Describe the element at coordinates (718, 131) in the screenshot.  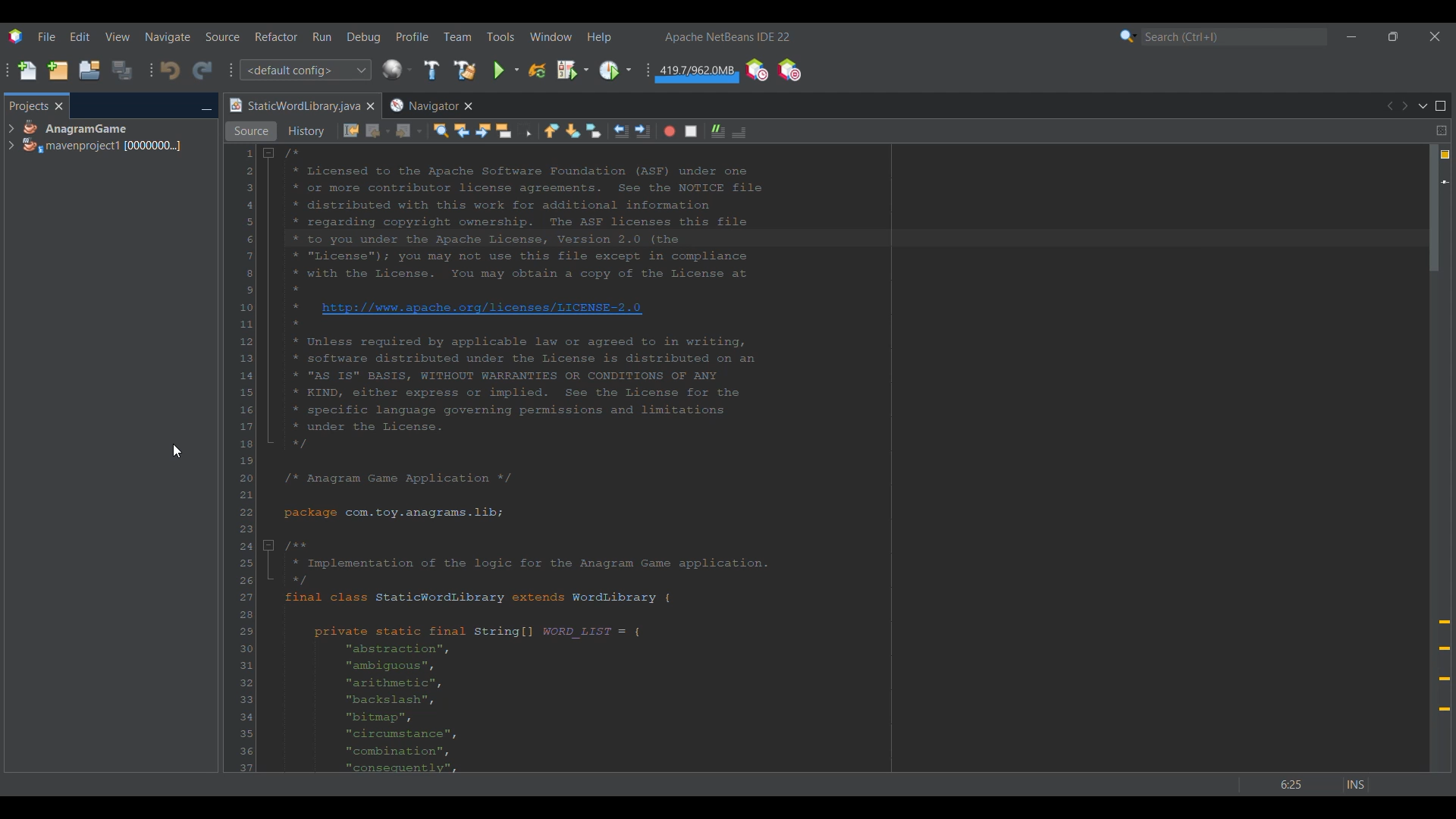
I see `Uncomment` at that location.